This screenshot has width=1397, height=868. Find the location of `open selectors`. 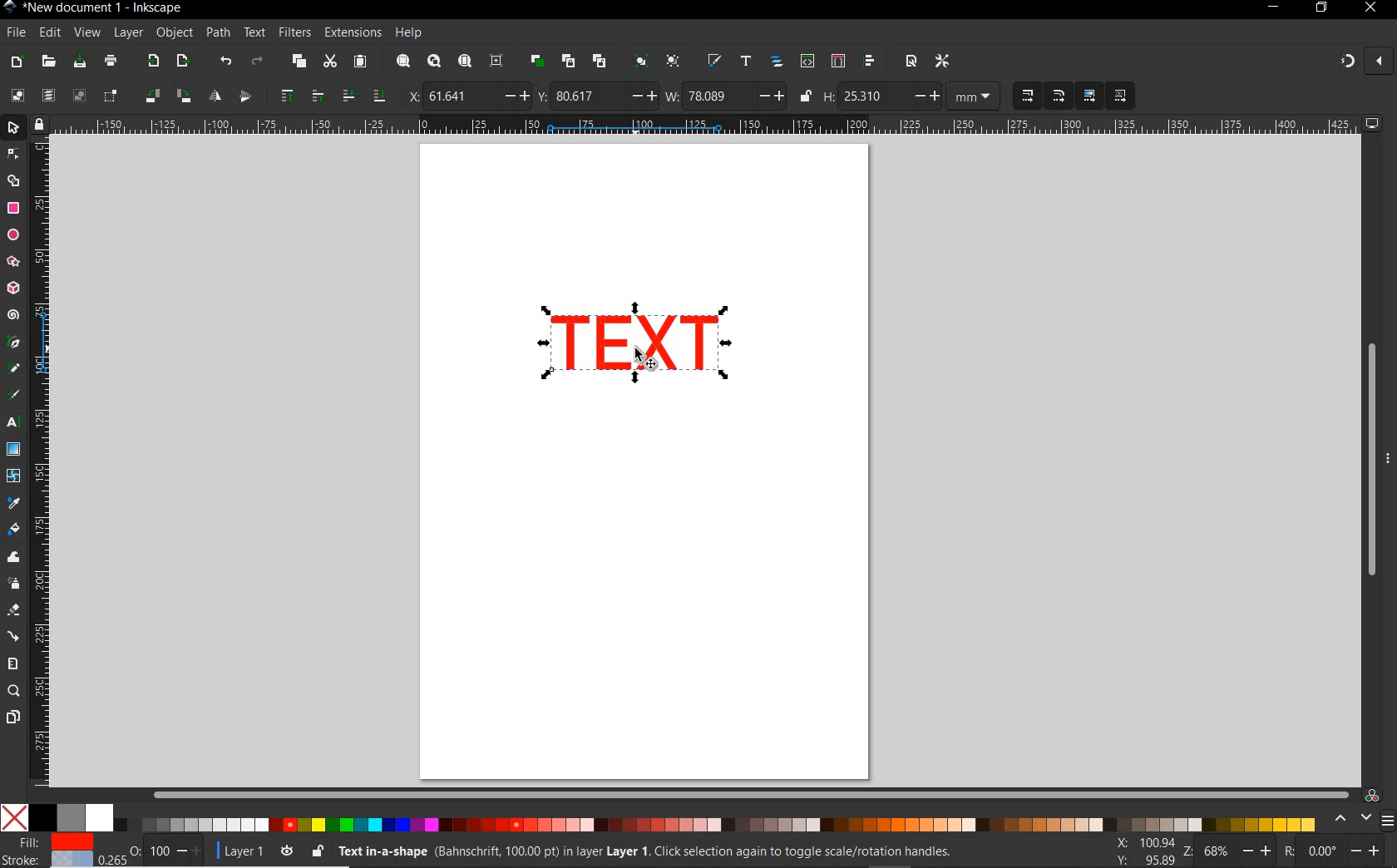

open selectors is located at coordinates (837, 62).